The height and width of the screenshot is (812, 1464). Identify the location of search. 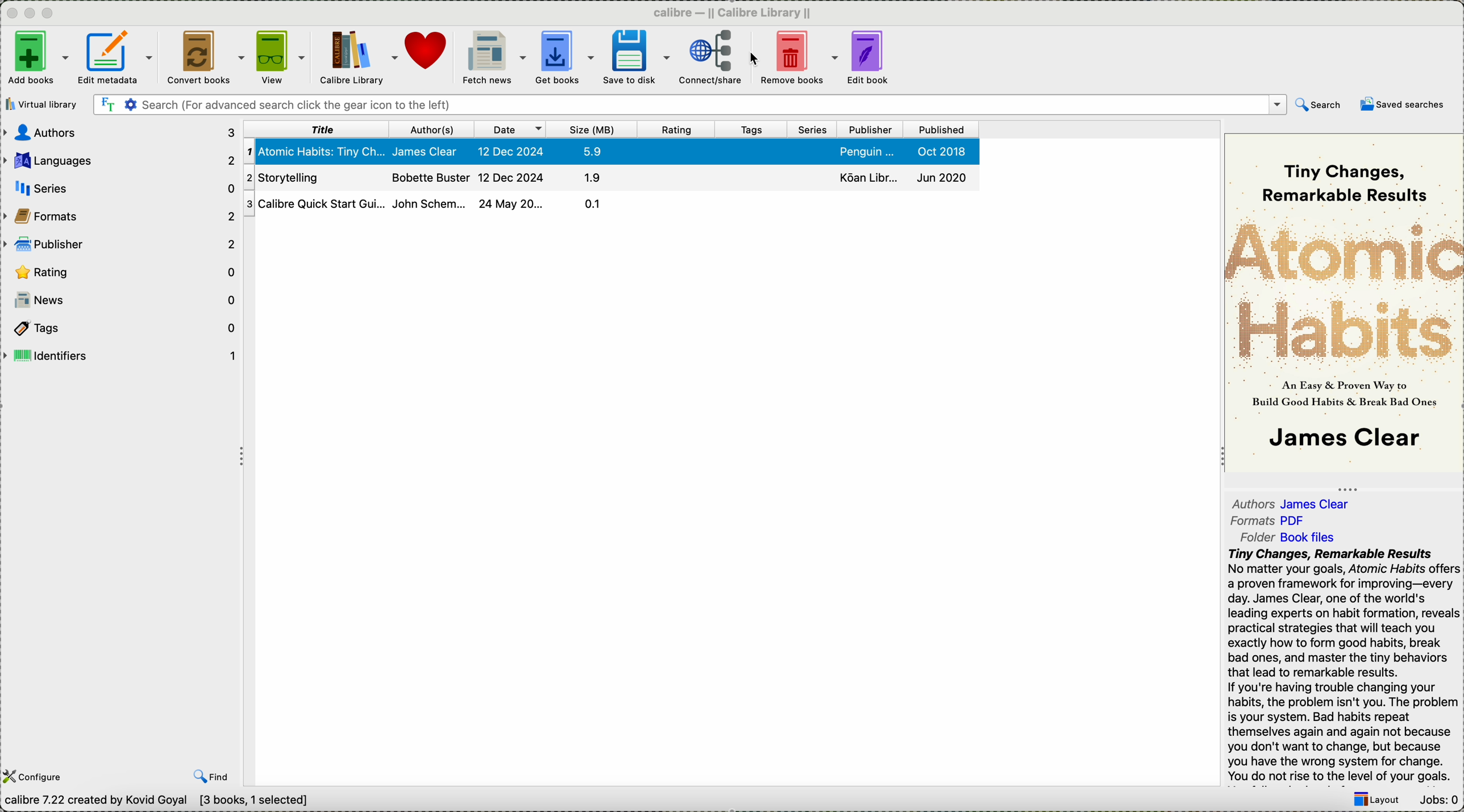
(1319, 107).